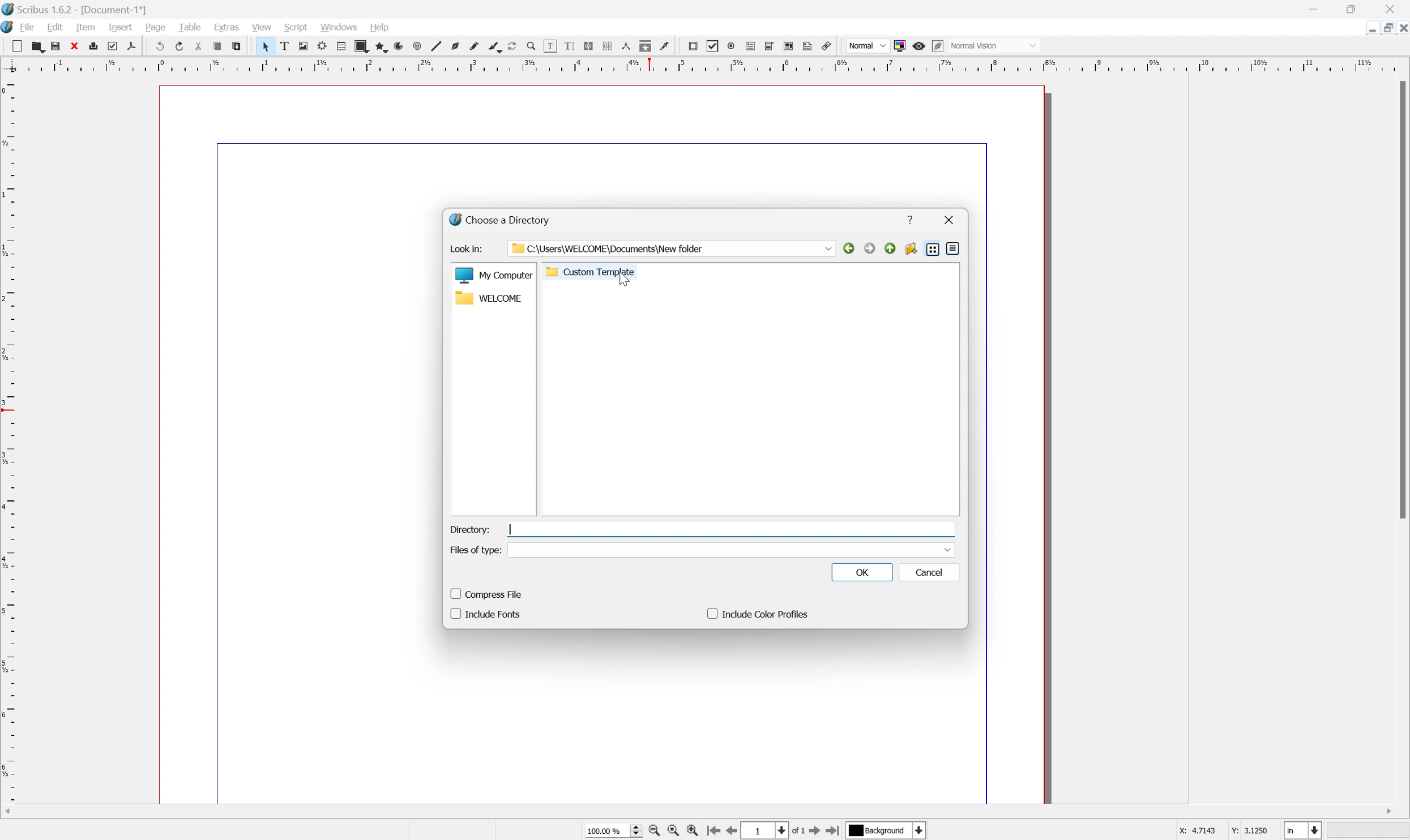 Image resolution: width=1410 pixels, height=840 pixels. I want to click on parent directory, so click(888, 248).